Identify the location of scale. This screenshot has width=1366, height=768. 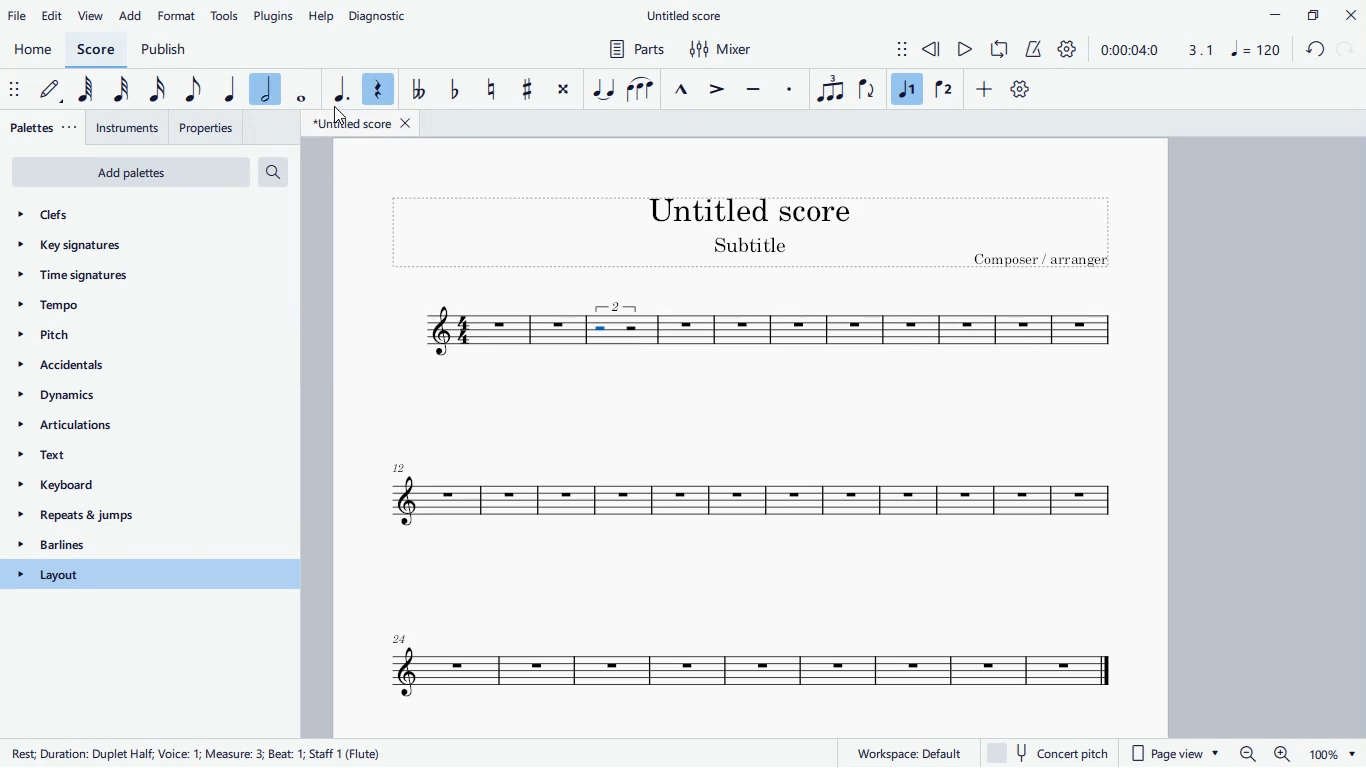
(1228, 49).